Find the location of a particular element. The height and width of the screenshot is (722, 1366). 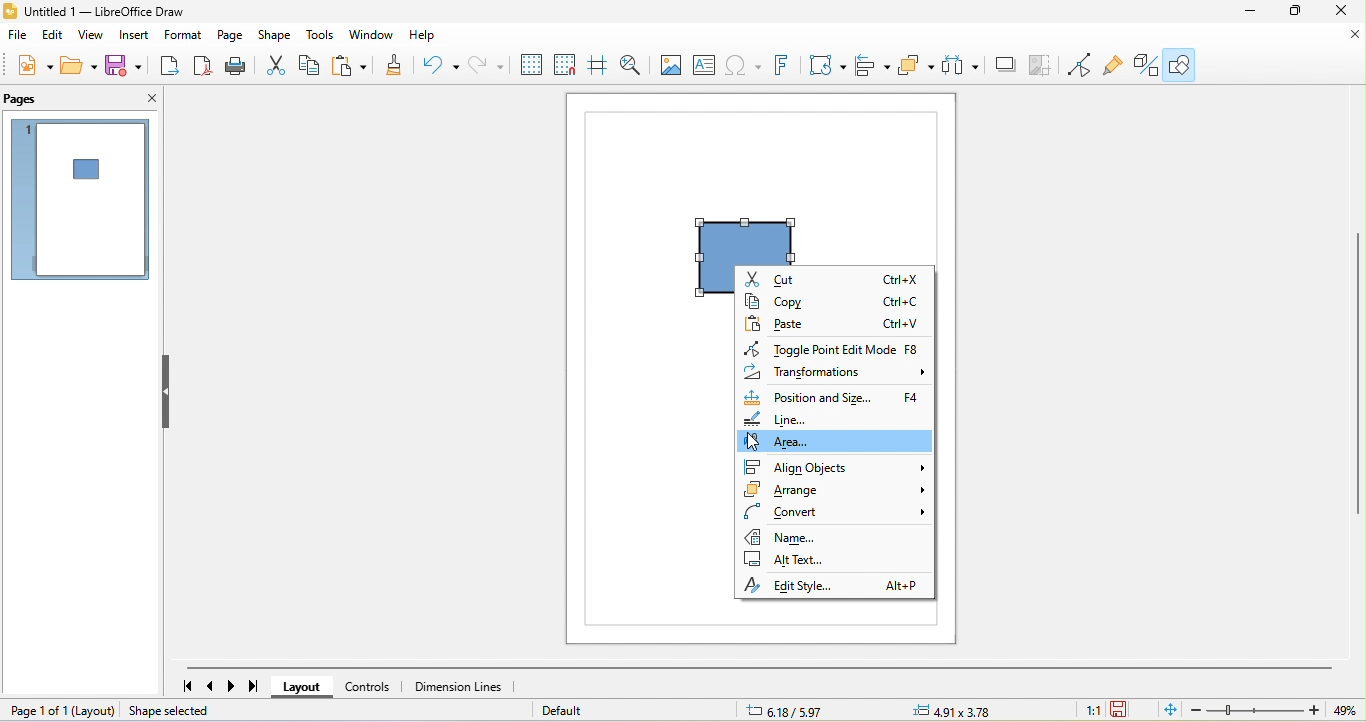

image is located at coordinates (670, 64).